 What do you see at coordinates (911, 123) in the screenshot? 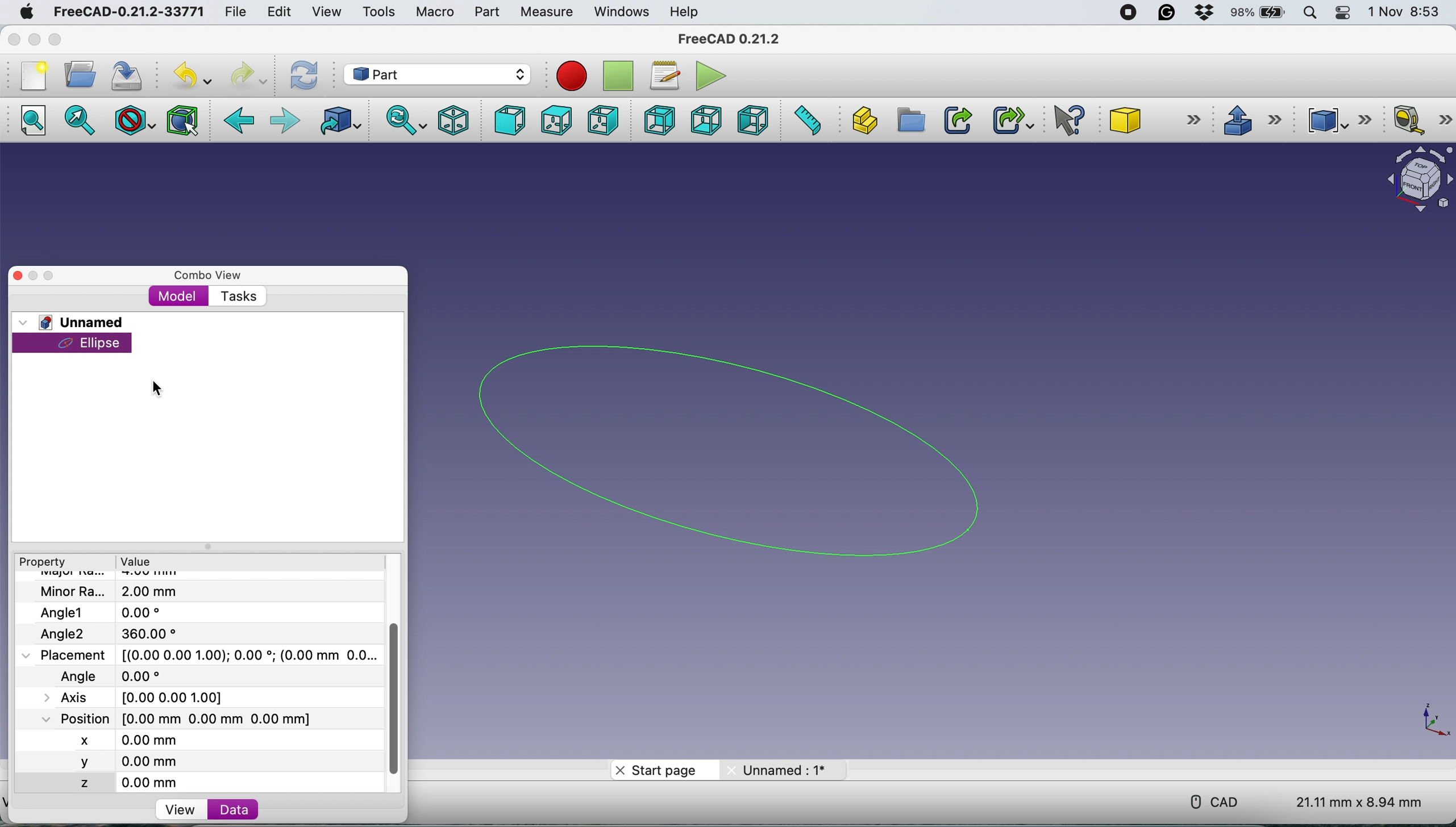
I see `create group` at bounding box center [911, 123].